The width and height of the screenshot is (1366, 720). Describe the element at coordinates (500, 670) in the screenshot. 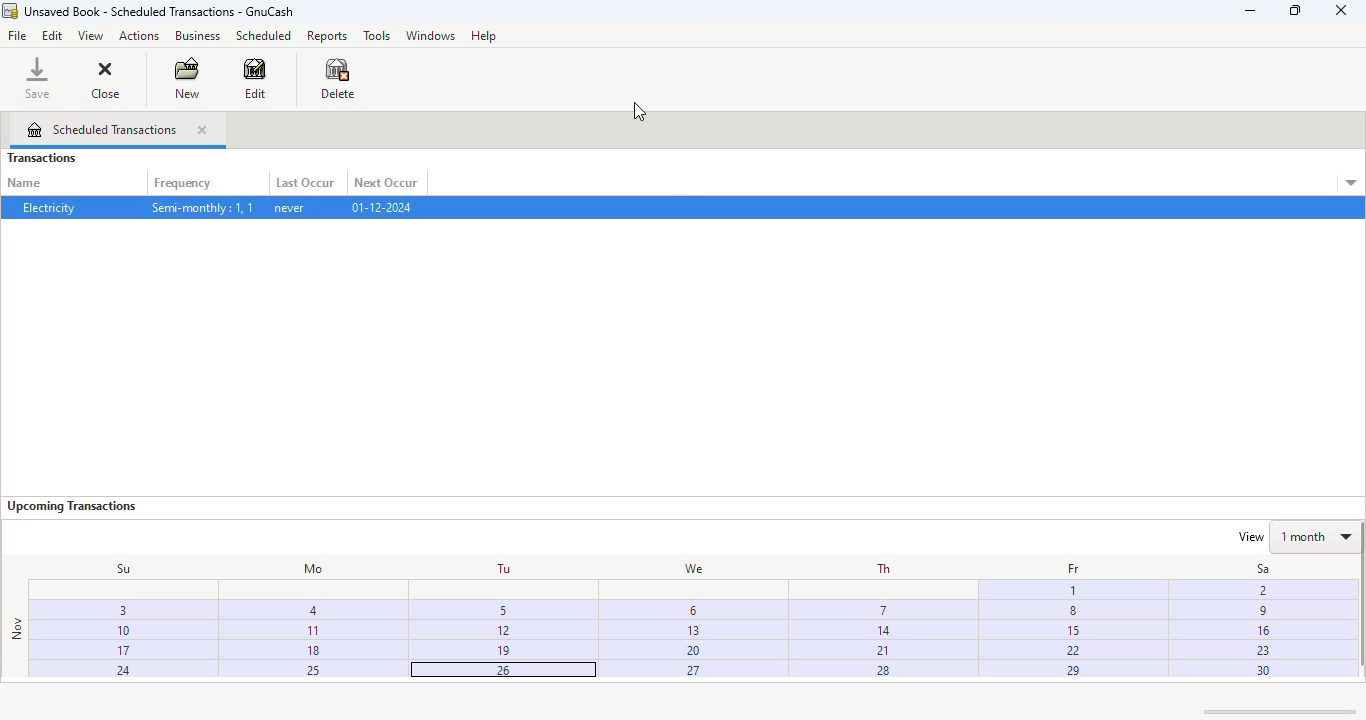

I see `25` at that location.